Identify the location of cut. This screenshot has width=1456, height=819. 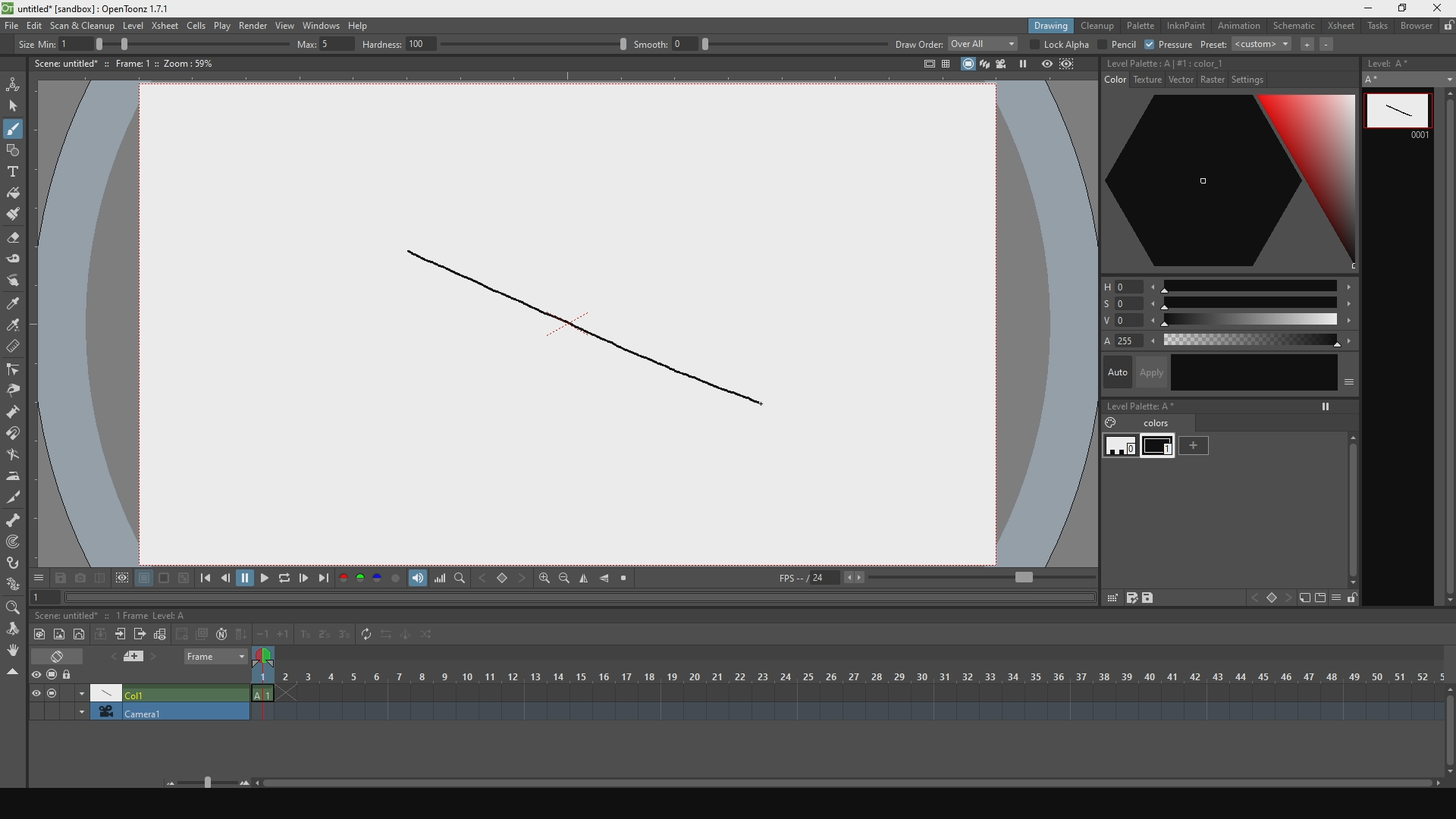
(14, 497).